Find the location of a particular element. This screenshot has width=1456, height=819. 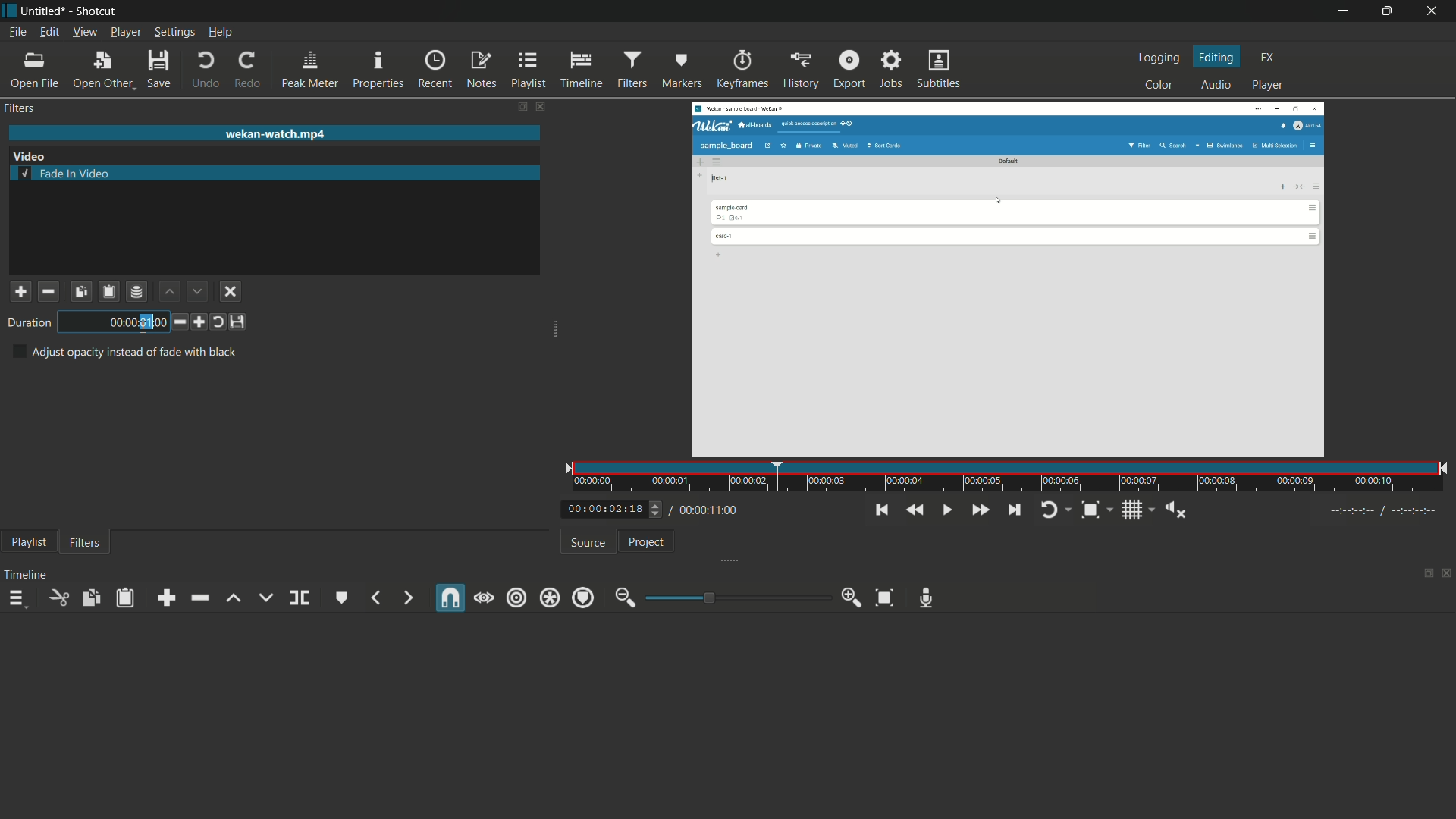

view menu is located at coordinates (85, 32).